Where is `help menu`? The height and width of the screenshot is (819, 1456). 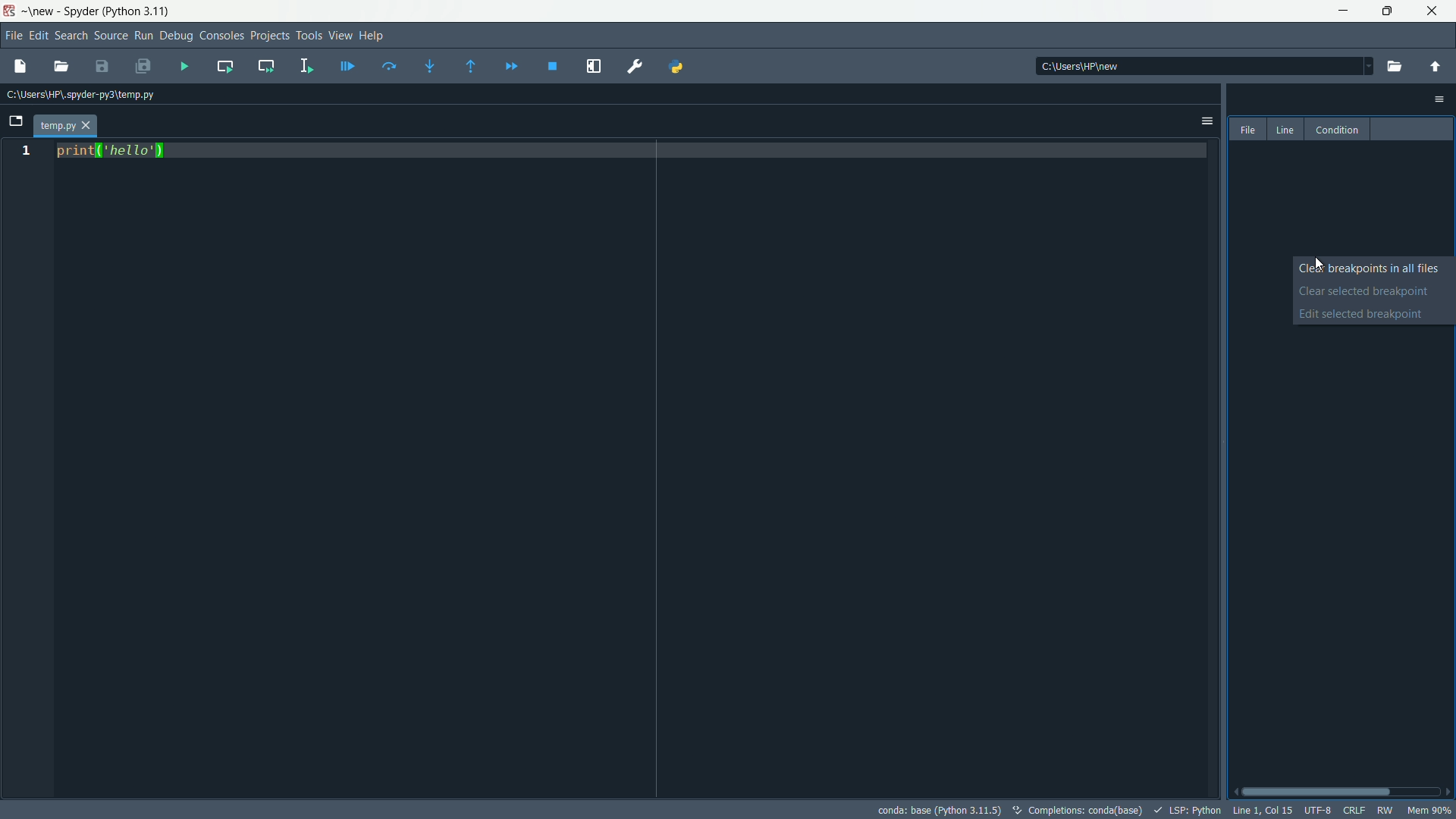 help menu is located at coordinates (374, 36).